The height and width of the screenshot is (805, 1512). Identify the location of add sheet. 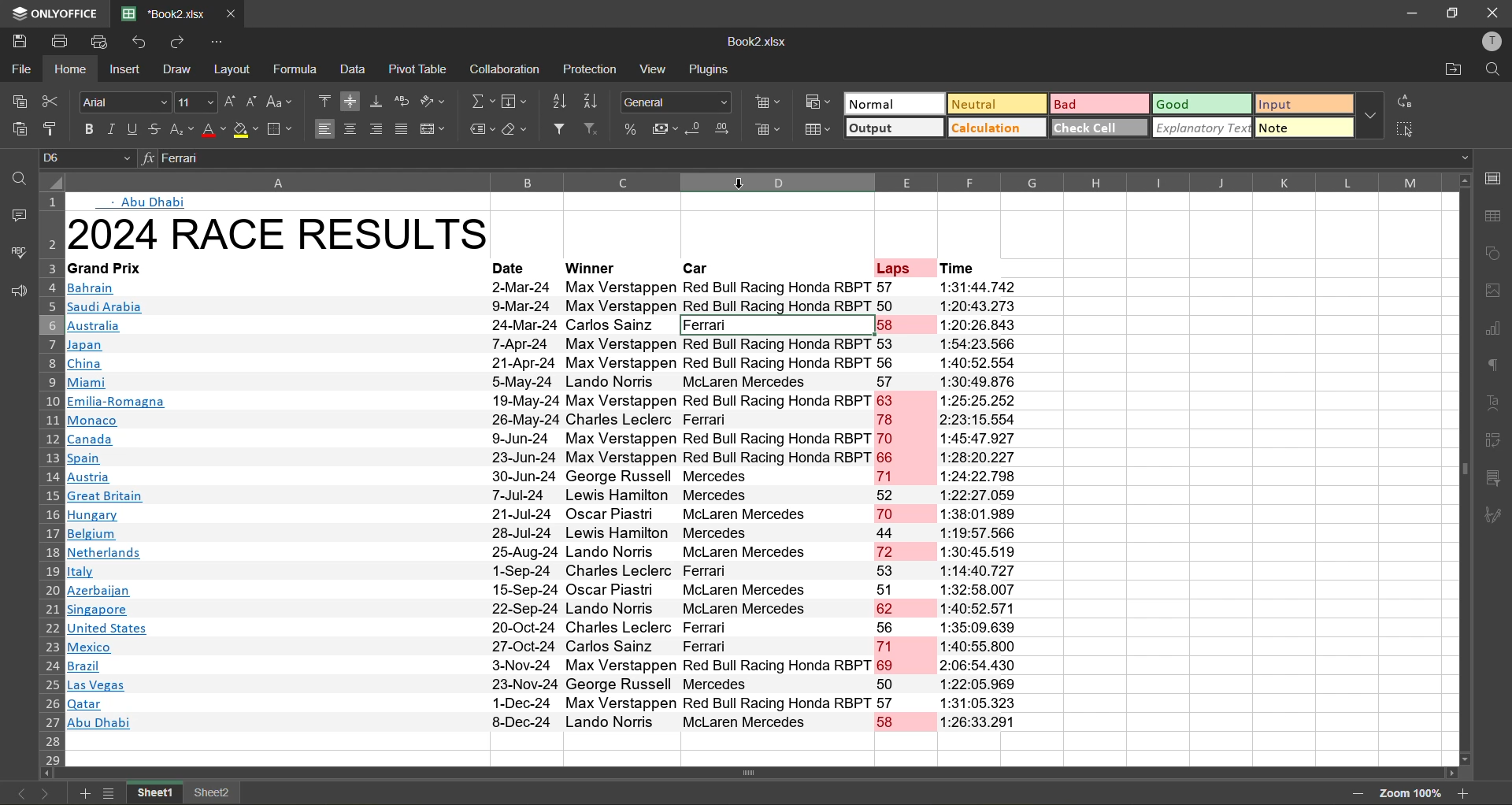
(85, 794).